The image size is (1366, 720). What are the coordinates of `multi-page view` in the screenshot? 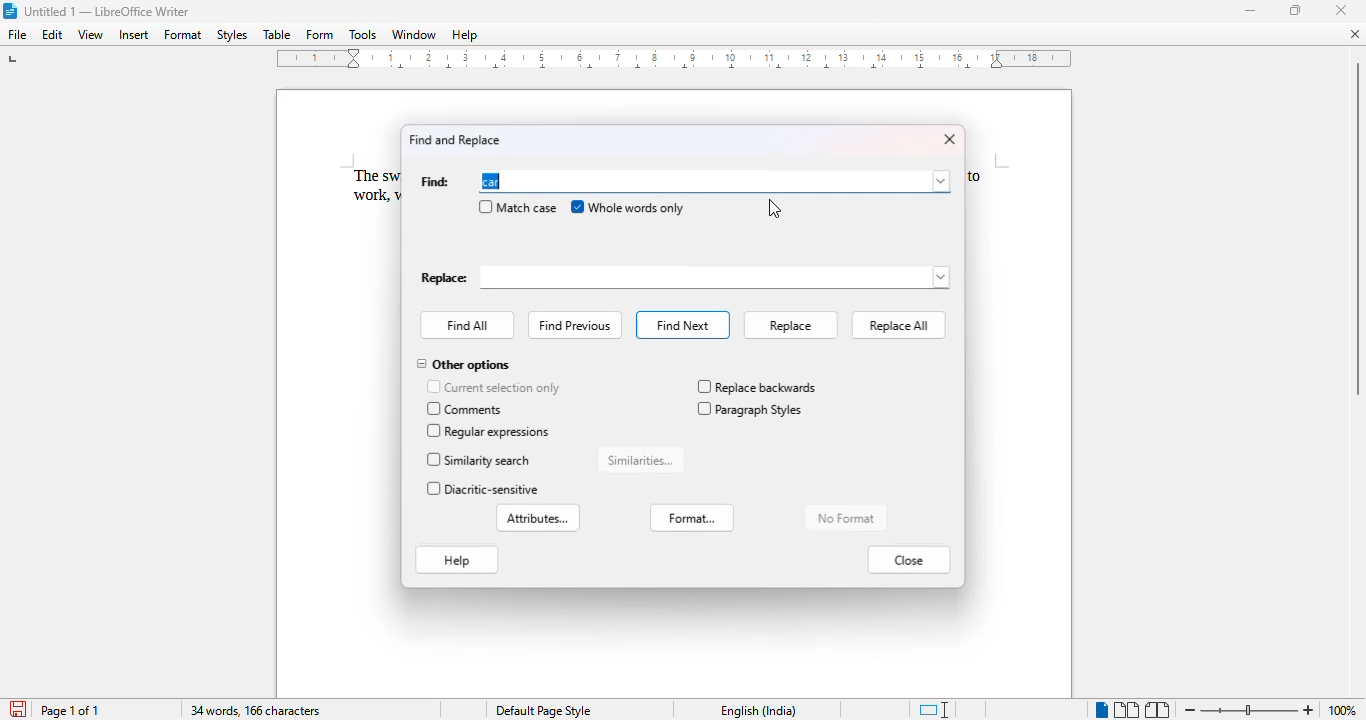 It's located at (1127, 710).